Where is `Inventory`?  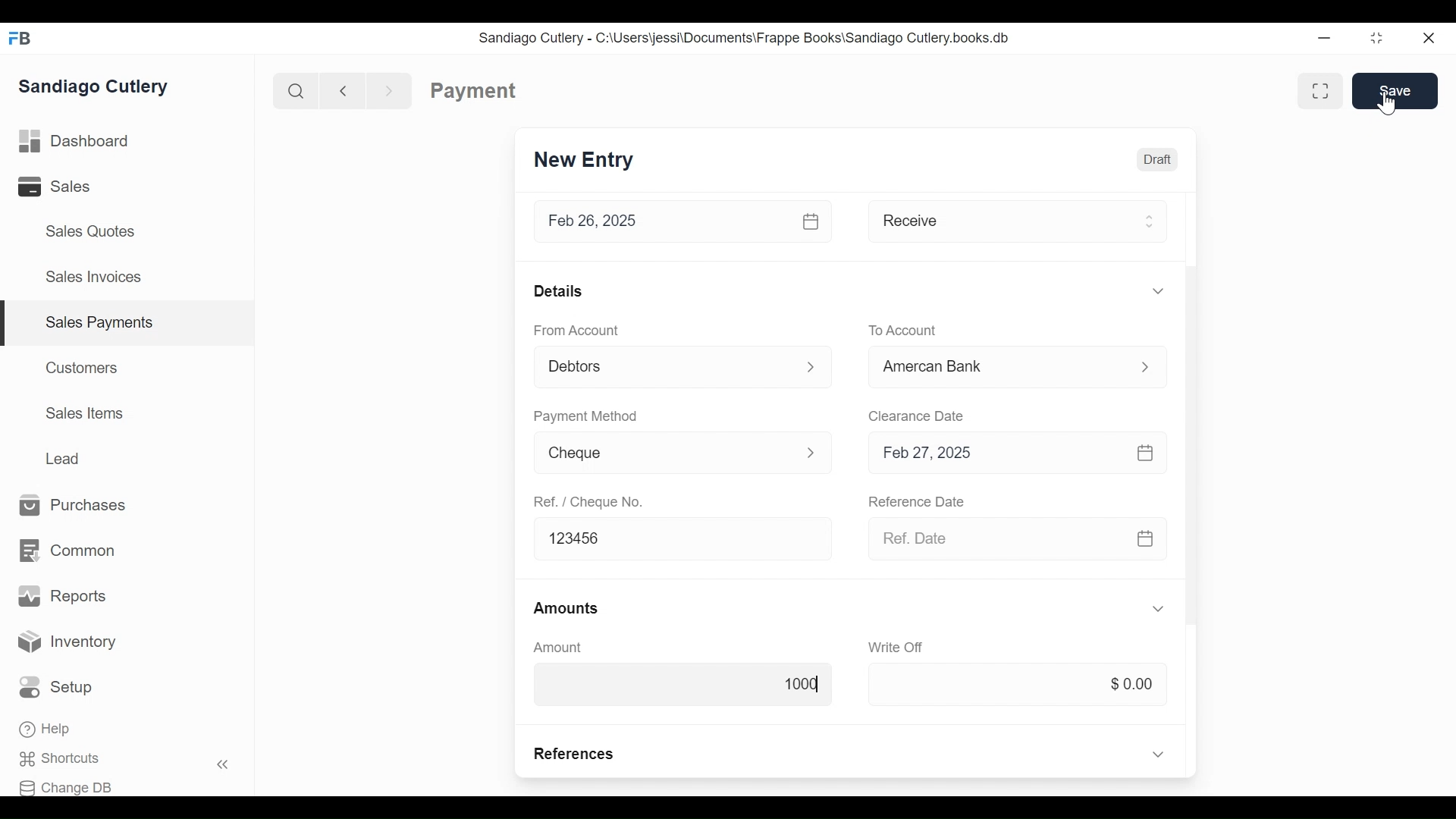
Inventory is located at coordinates (68, 642).